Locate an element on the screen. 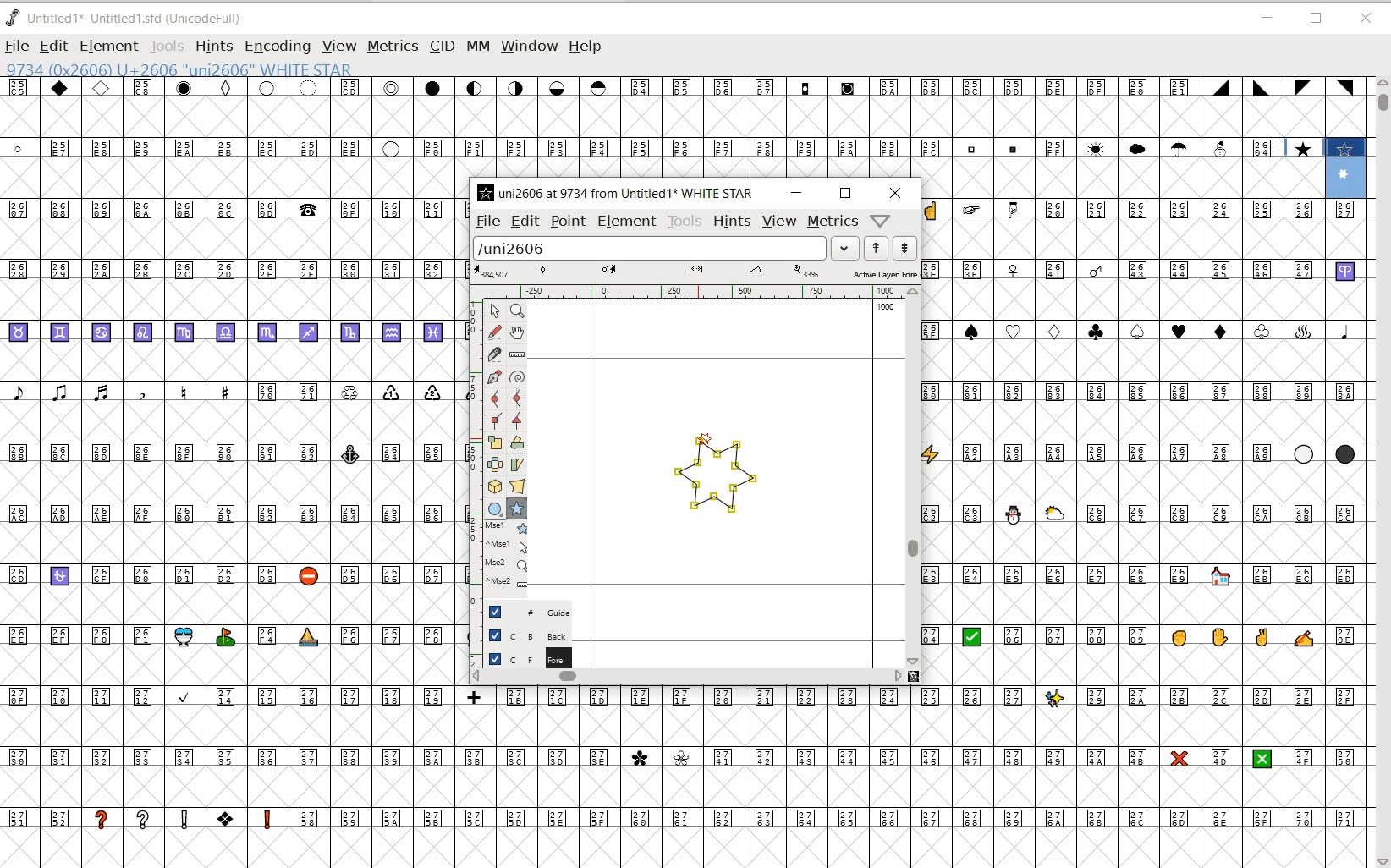 This screenshot has width=1391, height=868. ELEMENT is located at coordinates (109, 46).